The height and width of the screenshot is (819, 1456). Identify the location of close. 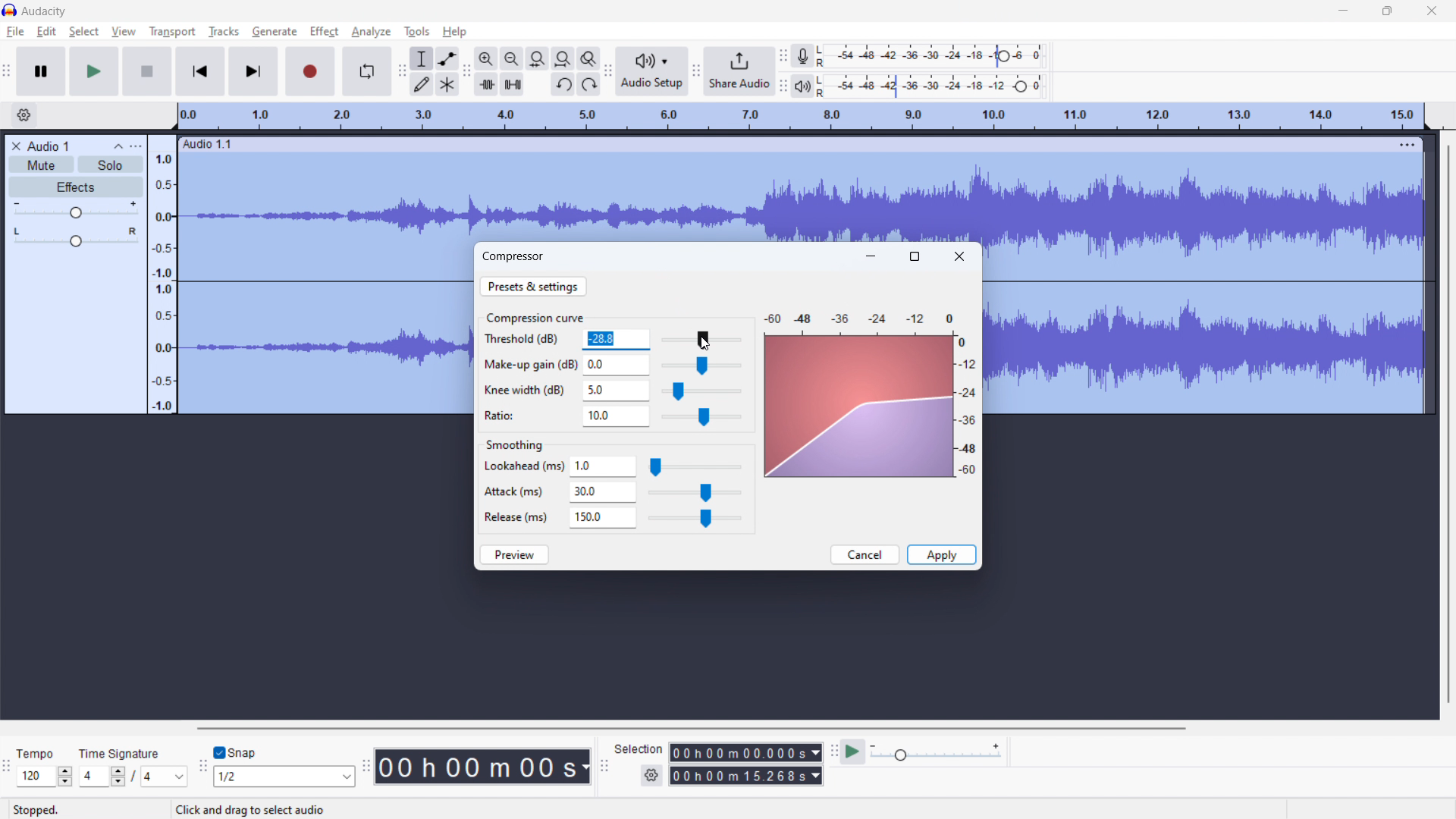
(959, 256).